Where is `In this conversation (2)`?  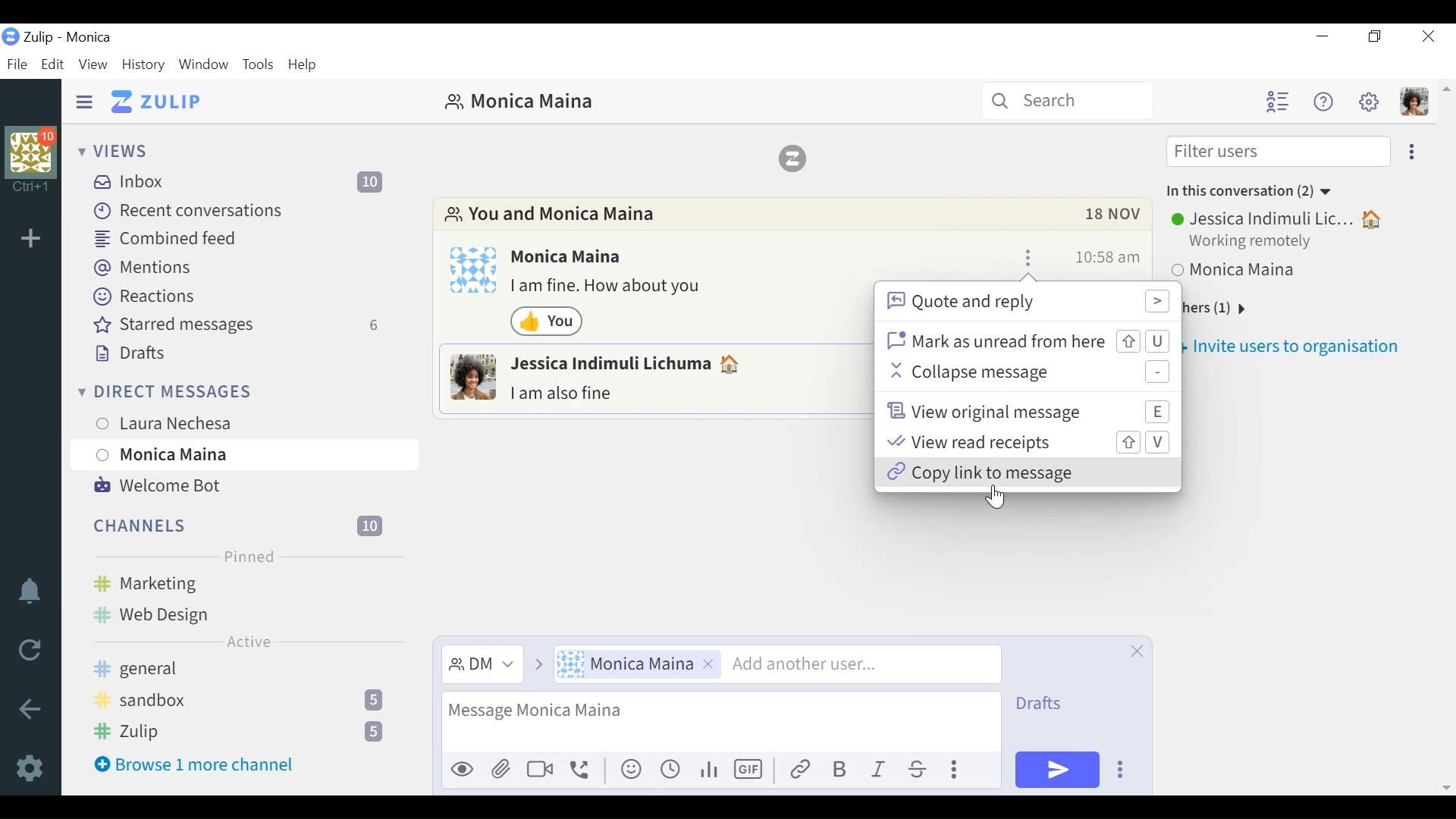
In this conversation (2) is located at coordinates (1249, 190).